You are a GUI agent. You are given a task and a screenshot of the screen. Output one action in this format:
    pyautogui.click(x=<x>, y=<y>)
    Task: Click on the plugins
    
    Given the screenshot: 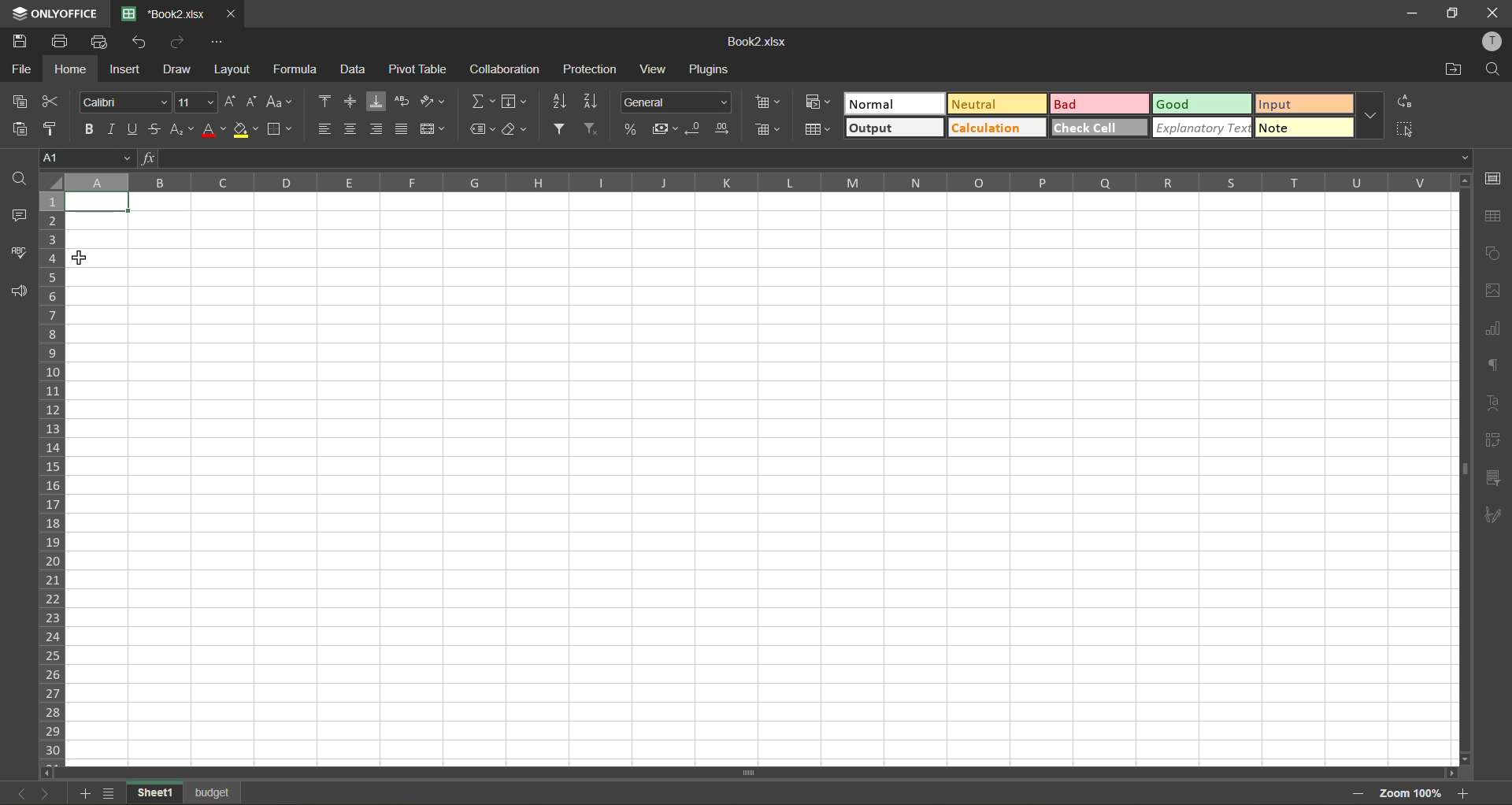 What is the action you would take?
    pyautogui.click(x=713, y=70)
    